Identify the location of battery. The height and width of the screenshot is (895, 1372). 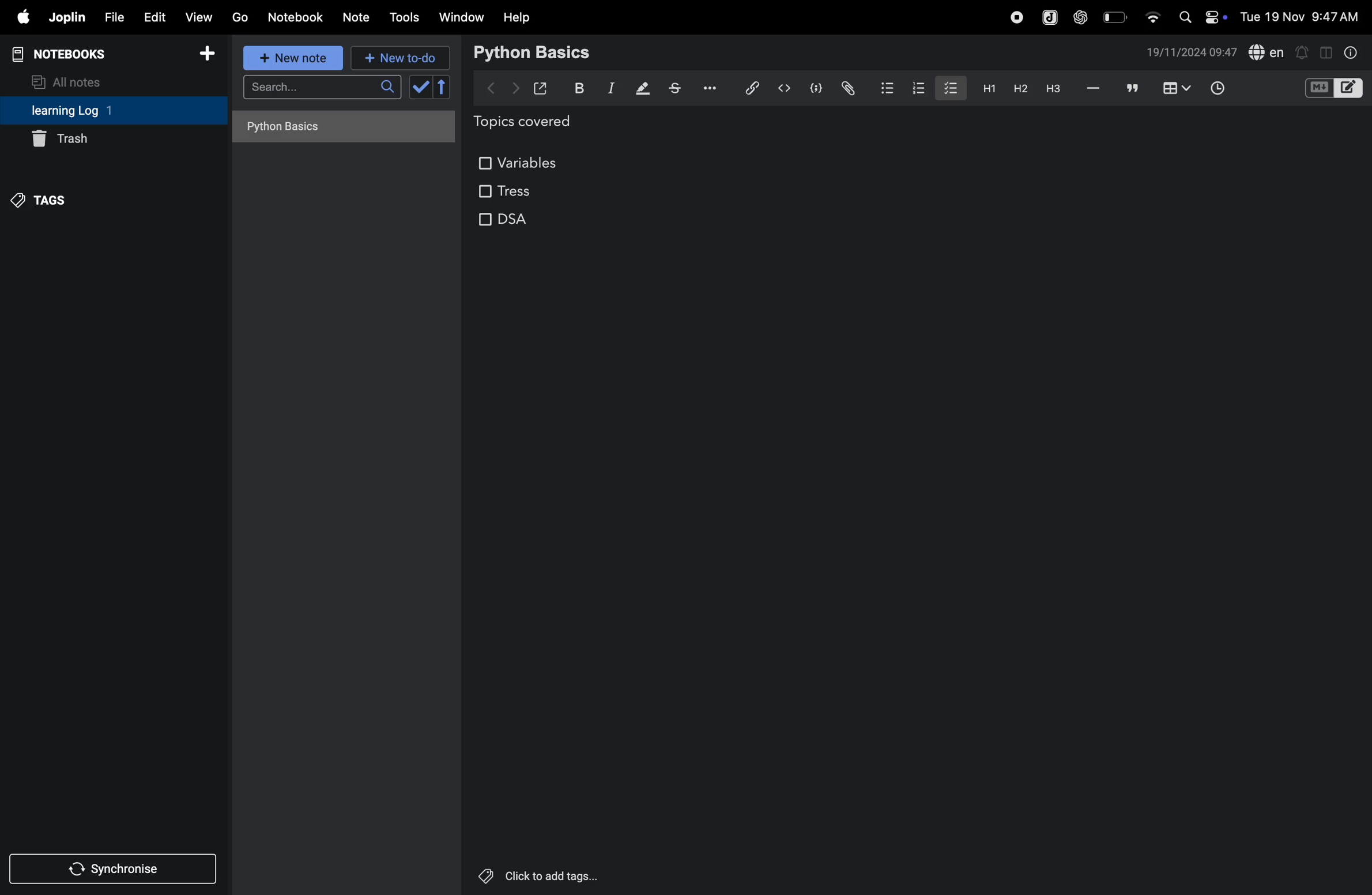
(1116, 16).